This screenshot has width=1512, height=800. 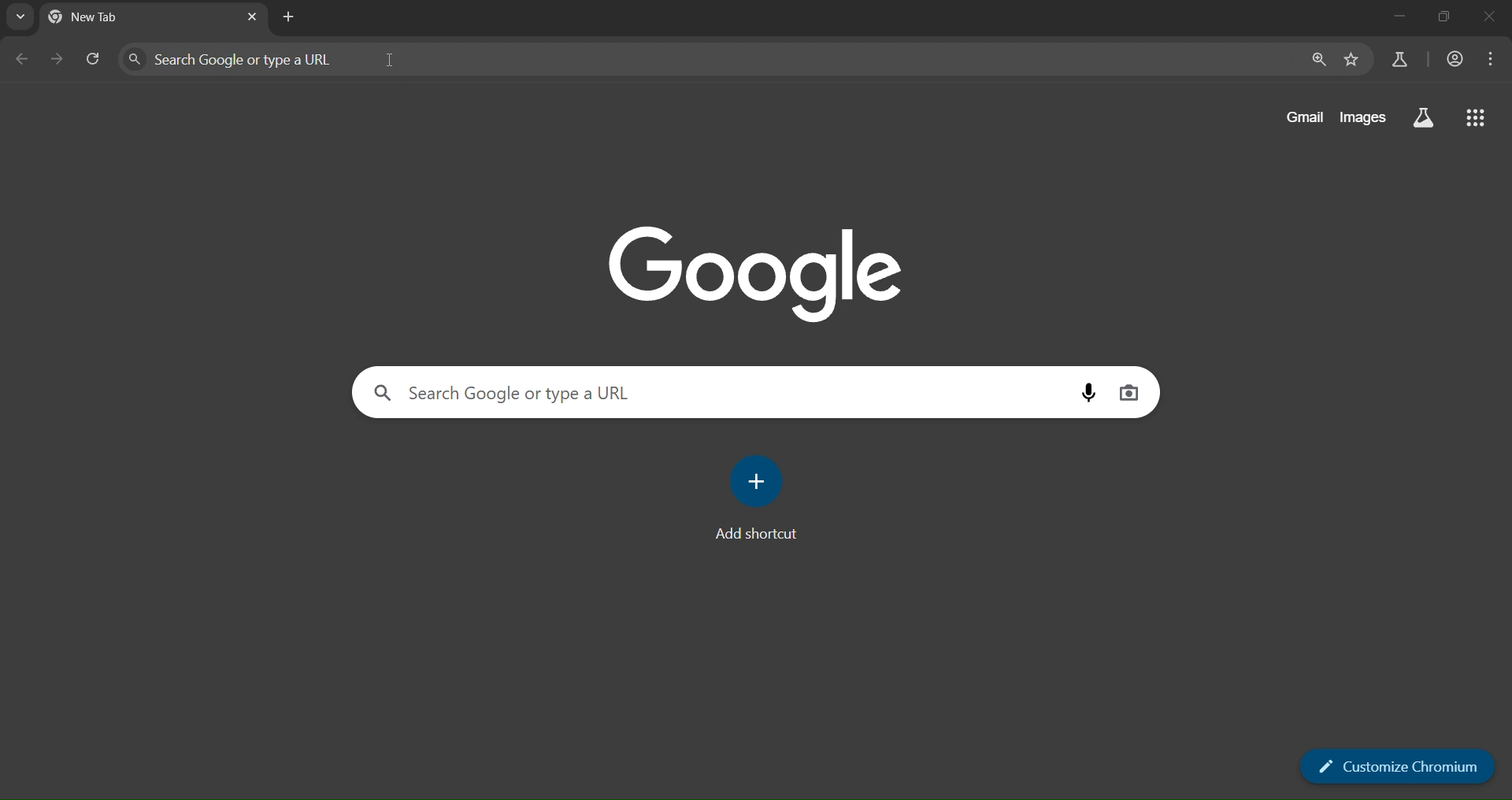 What do you see at coordinates (1422, 120) in the screenshot?
I see `search labs` at bounding box center [1422, 120].